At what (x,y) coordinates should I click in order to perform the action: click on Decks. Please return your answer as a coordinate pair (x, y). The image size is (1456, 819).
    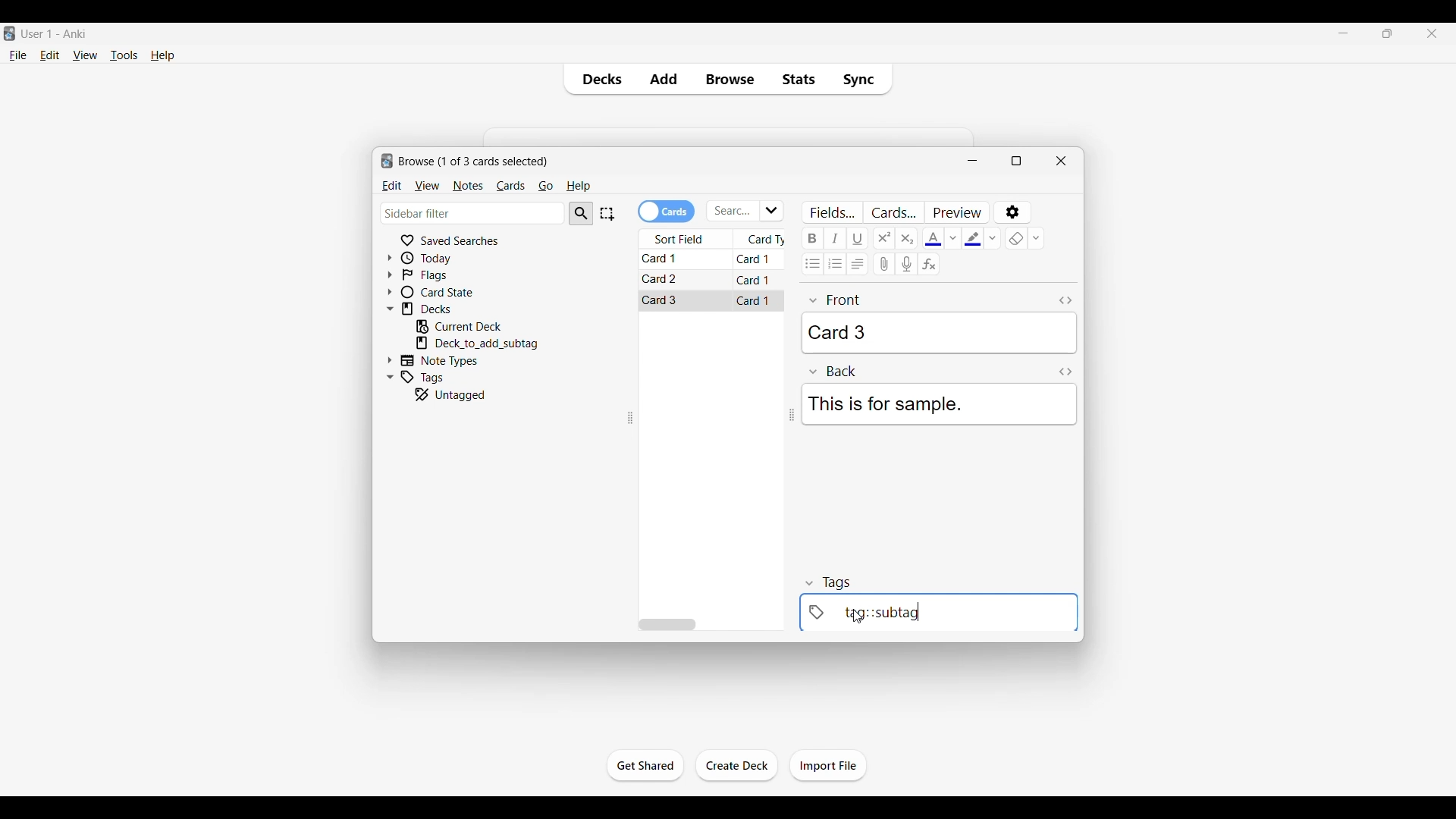
    Looking at the image, I should click on (598, 79).